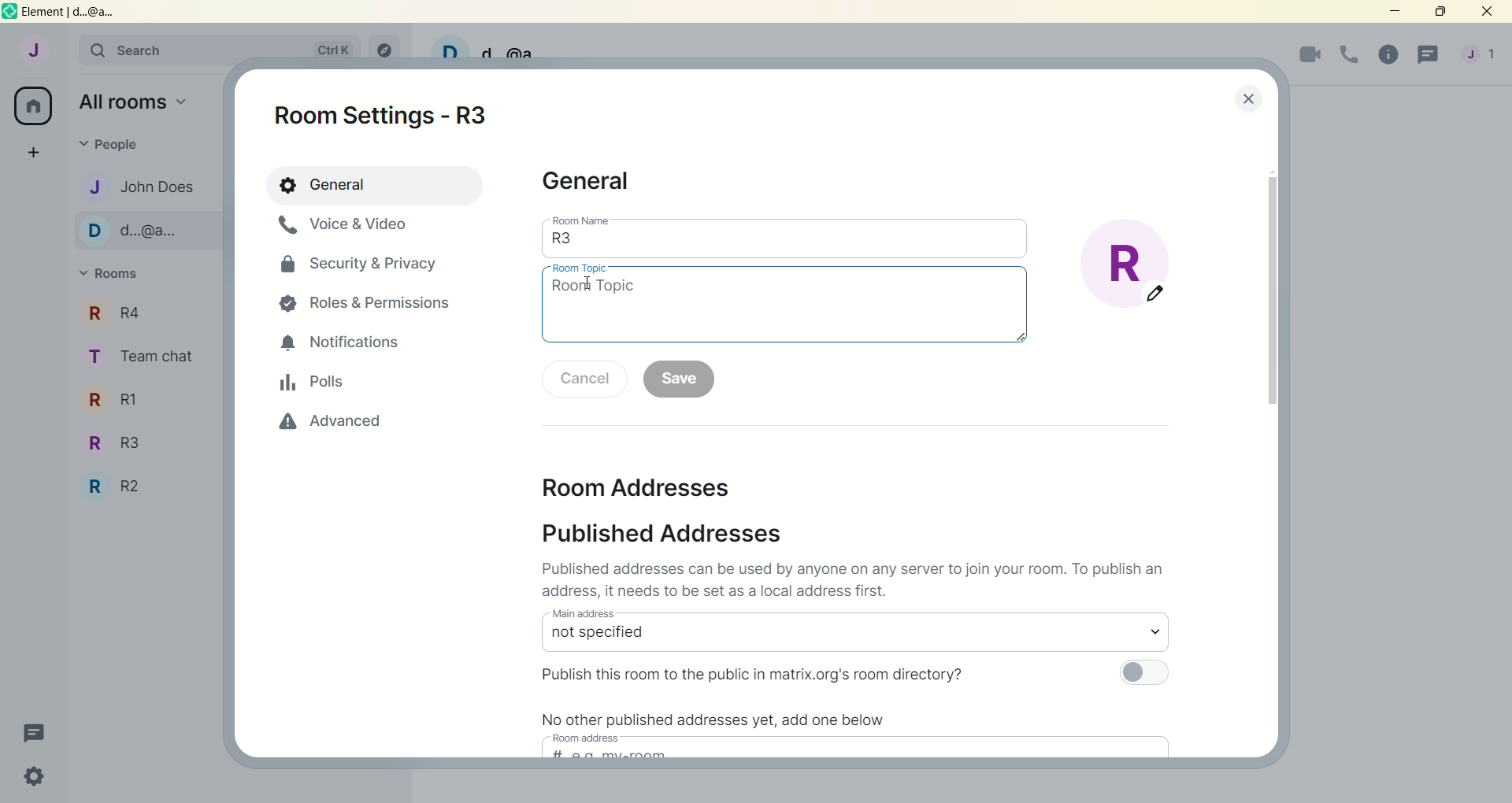 The width and height of the screenshot is (1512, 803). I want to click on advanced, so click(332, 420).